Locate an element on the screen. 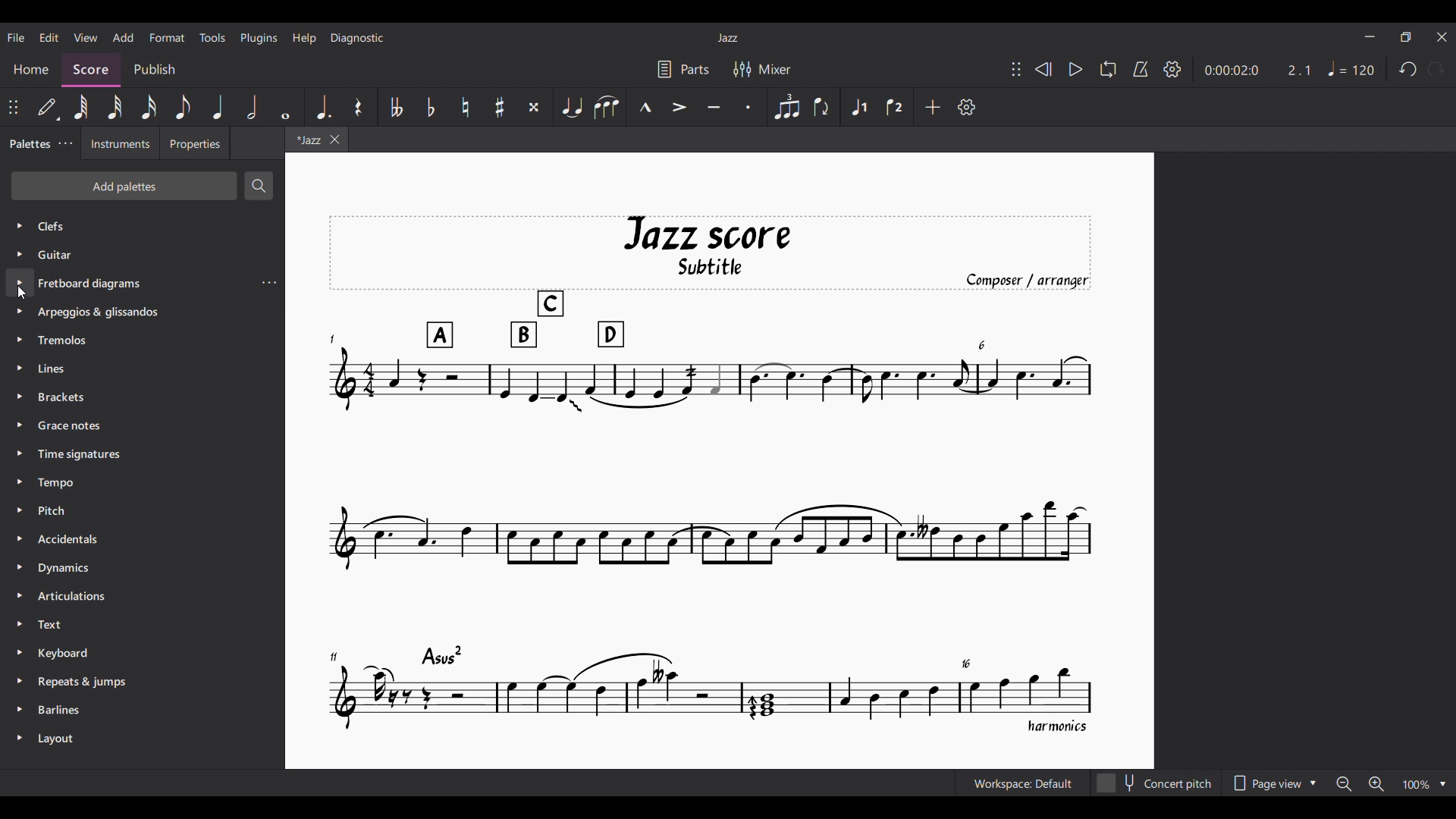 The width and height of the screenshot is (1456, 819). Expand is located at coordinates (19, 481).